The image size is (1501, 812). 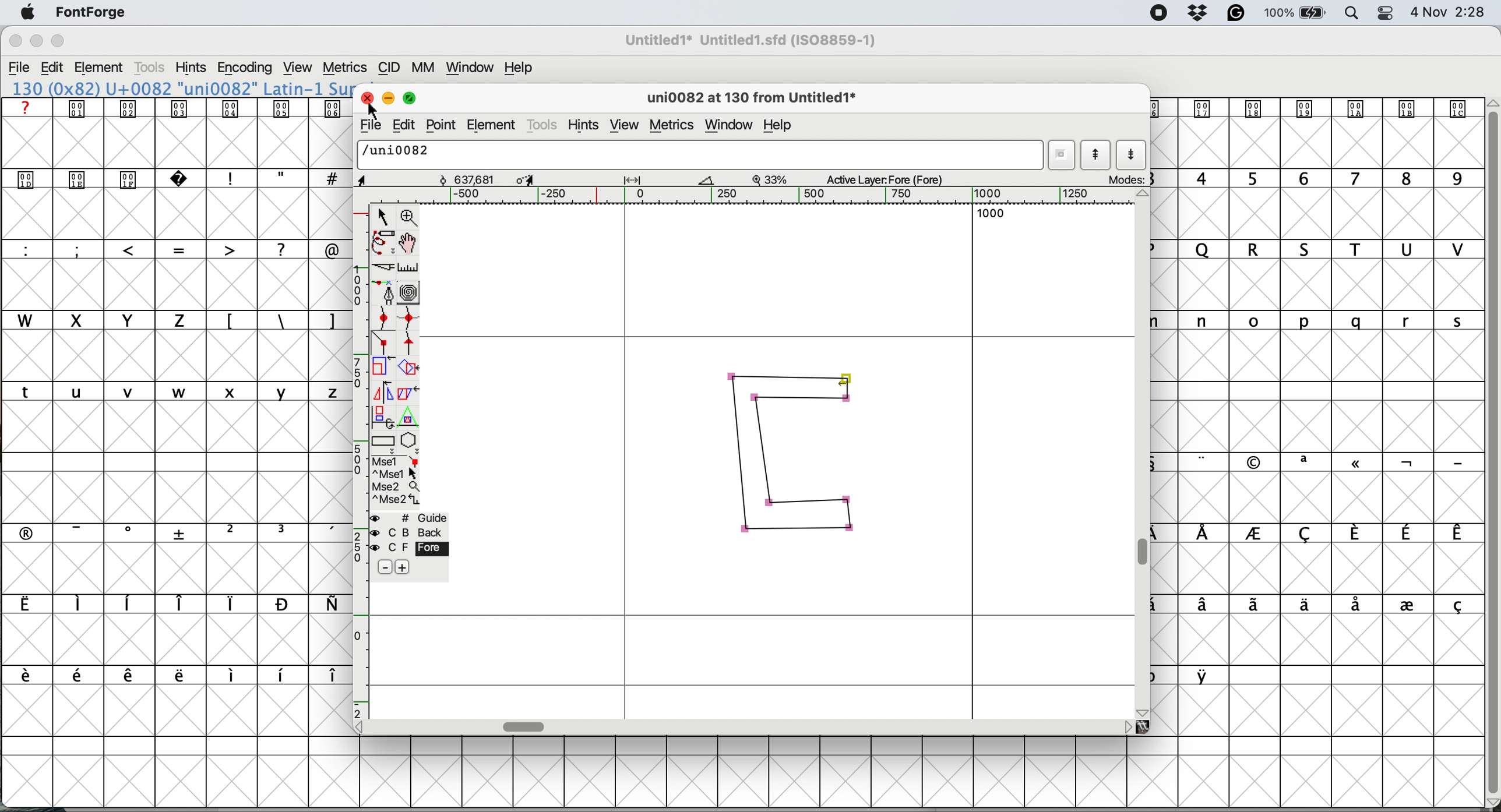 What do you see at coordinates (1206, 675) in the screenshot?
I see `symbol` at bounding box center [1206, 675].